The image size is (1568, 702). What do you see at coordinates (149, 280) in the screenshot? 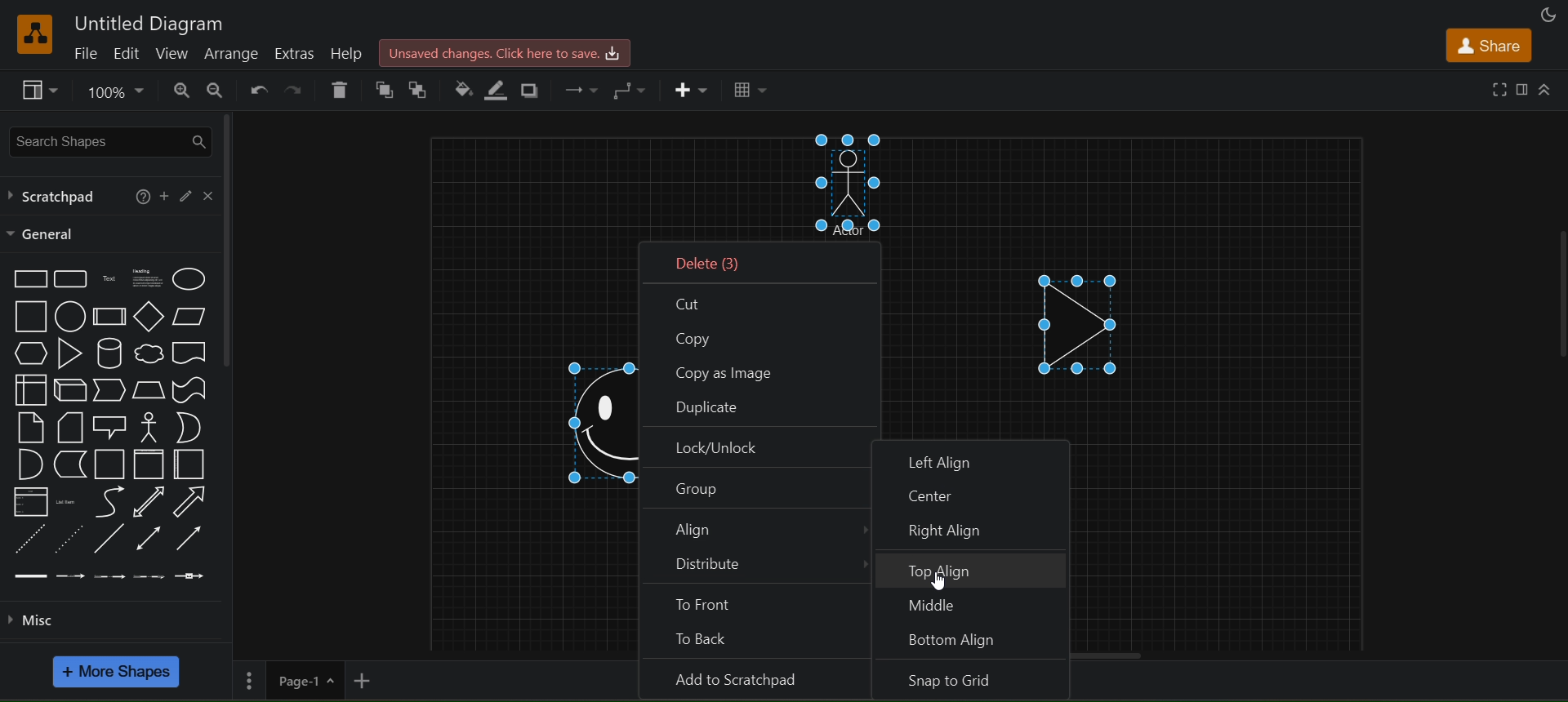
I see `heading` at bounding box center [149, 280].